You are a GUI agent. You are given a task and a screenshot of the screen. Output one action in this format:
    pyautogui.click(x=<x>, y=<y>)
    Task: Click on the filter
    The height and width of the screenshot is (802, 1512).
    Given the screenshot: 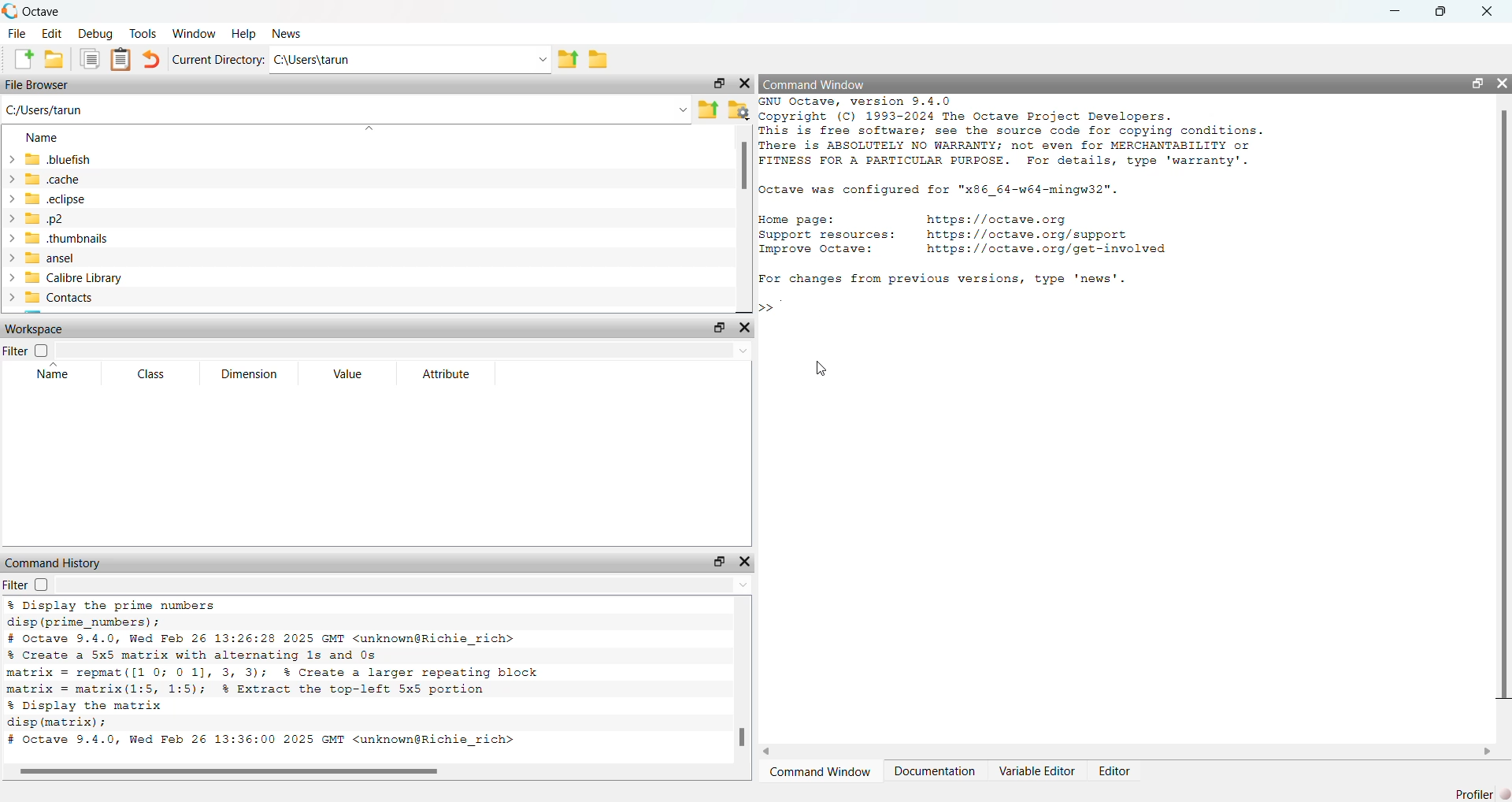 What is the action you would take?
    pyautogui.click(x=30, y=350)
    